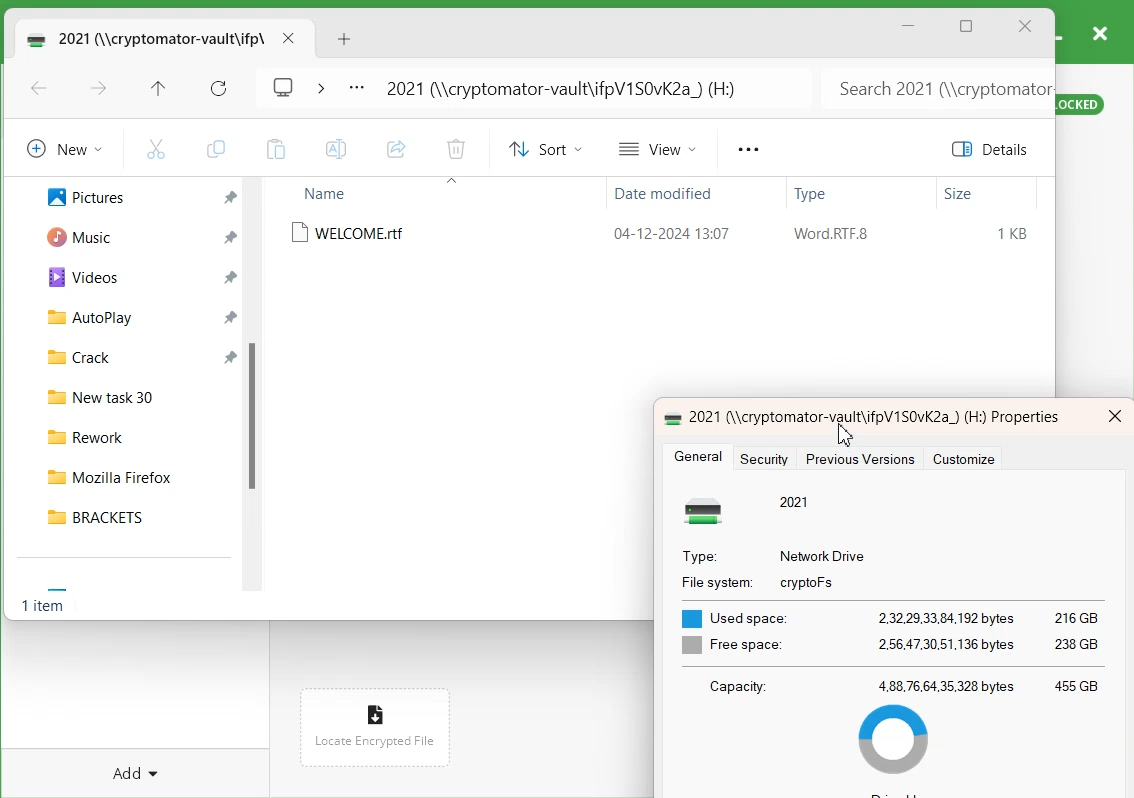  Describe the element at coordinates (215, 149) in the screenshot. I see `Copy` at that location.